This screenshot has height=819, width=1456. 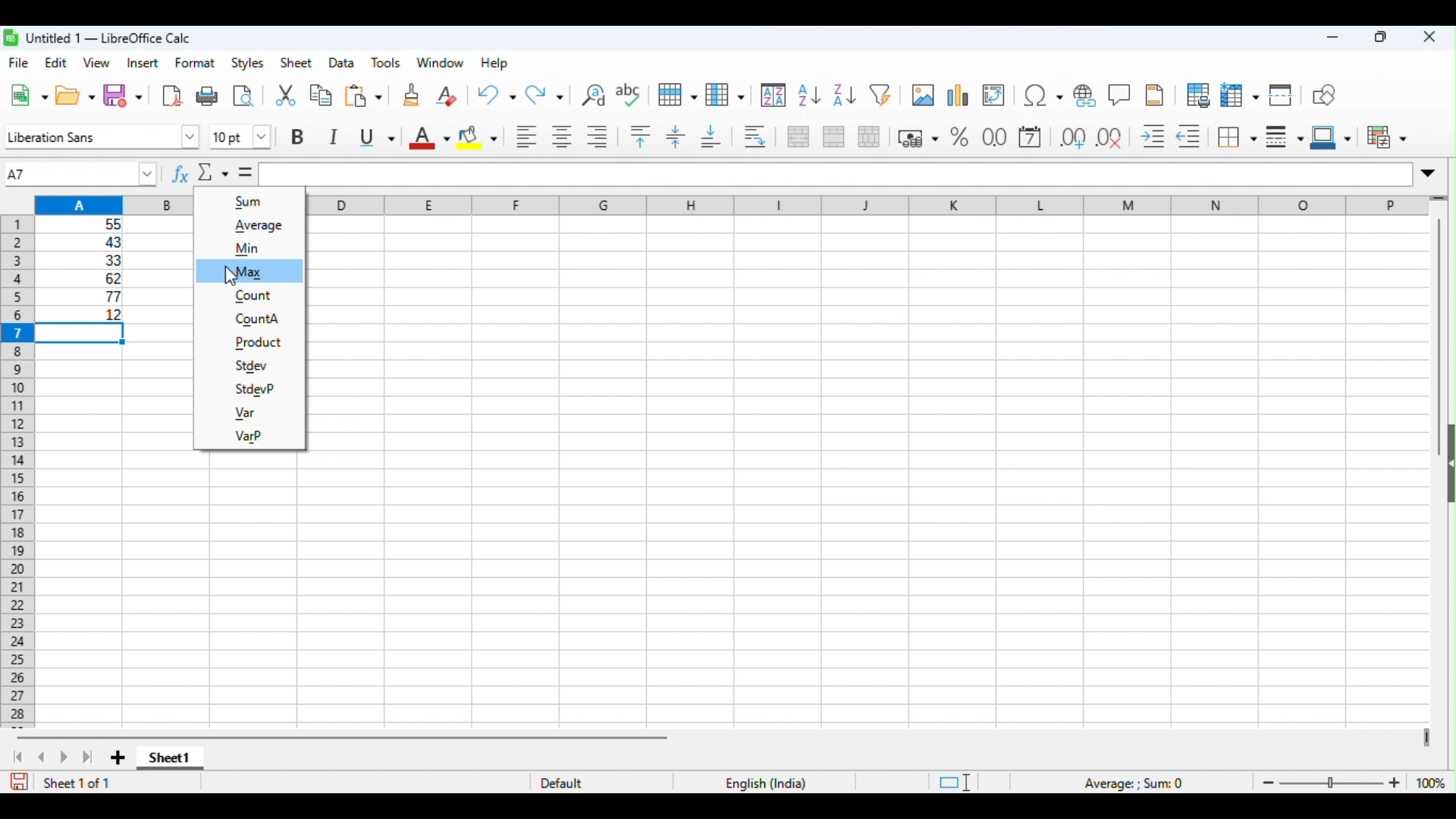 I want to click on center vertically, so click(x=674, y=136).